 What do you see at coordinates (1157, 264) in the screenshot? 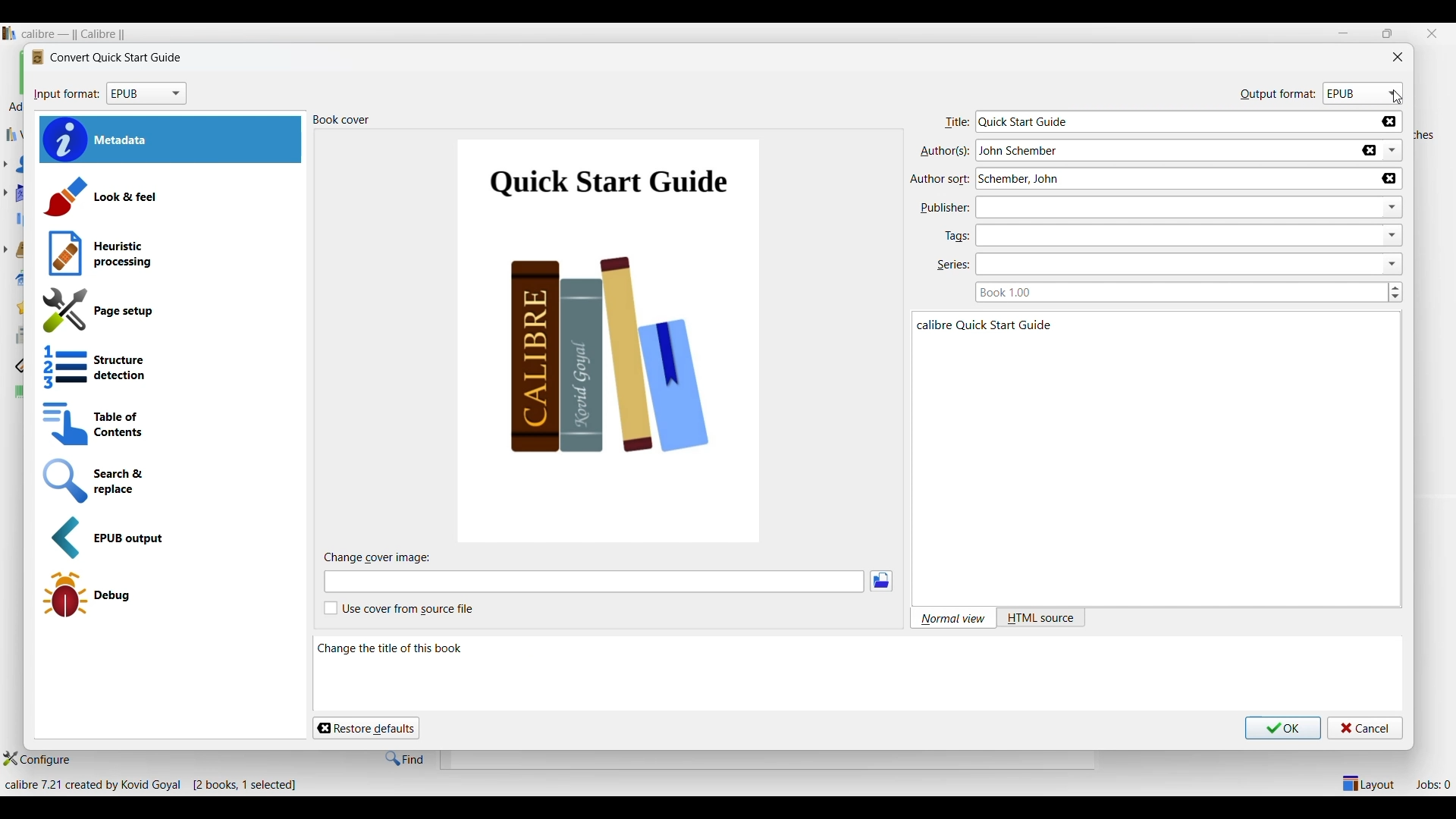
I see `Type in series` at bounding box center [1157, 264].